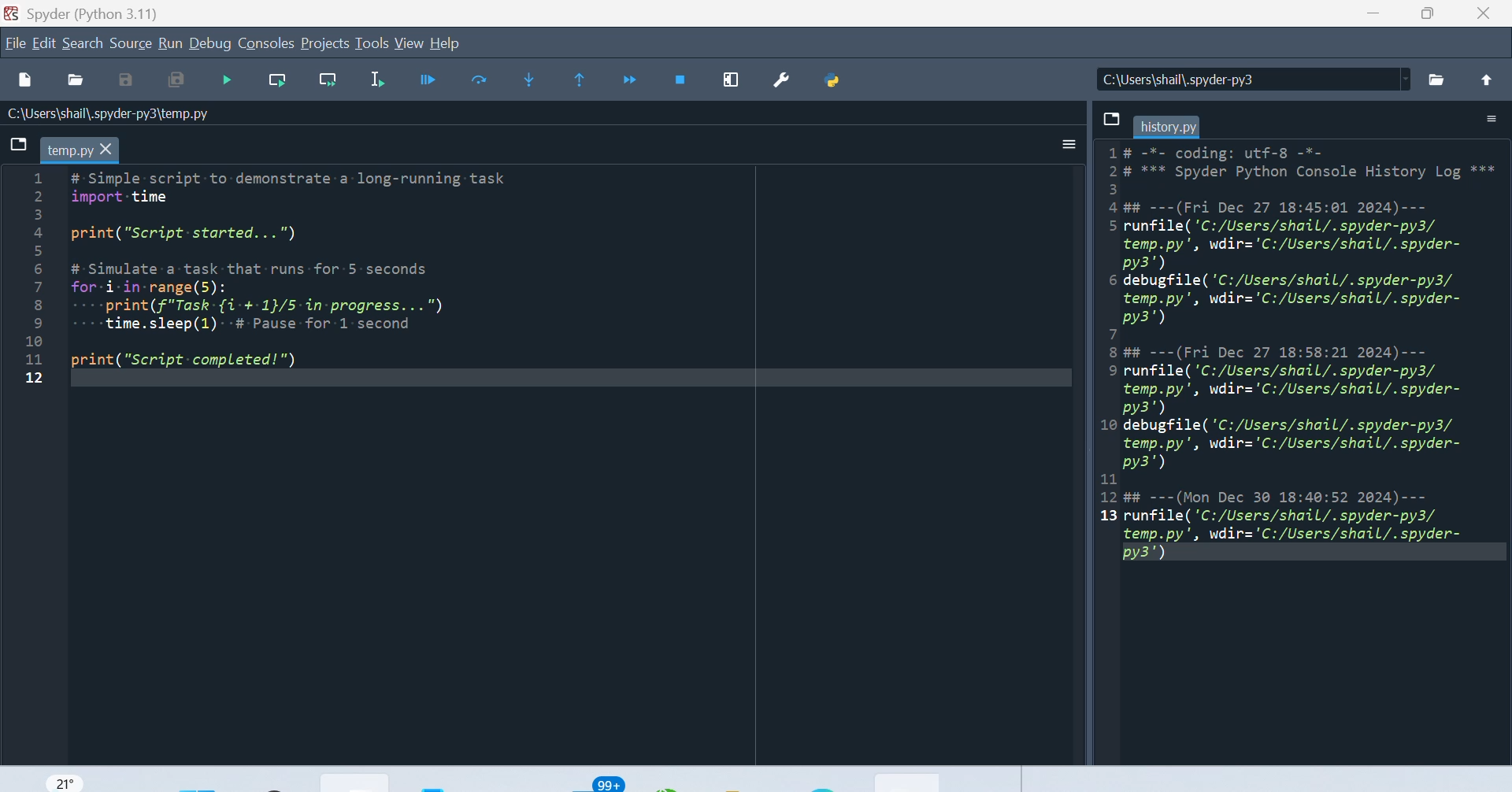  I want to click on Python path manager, so click(845, 80).